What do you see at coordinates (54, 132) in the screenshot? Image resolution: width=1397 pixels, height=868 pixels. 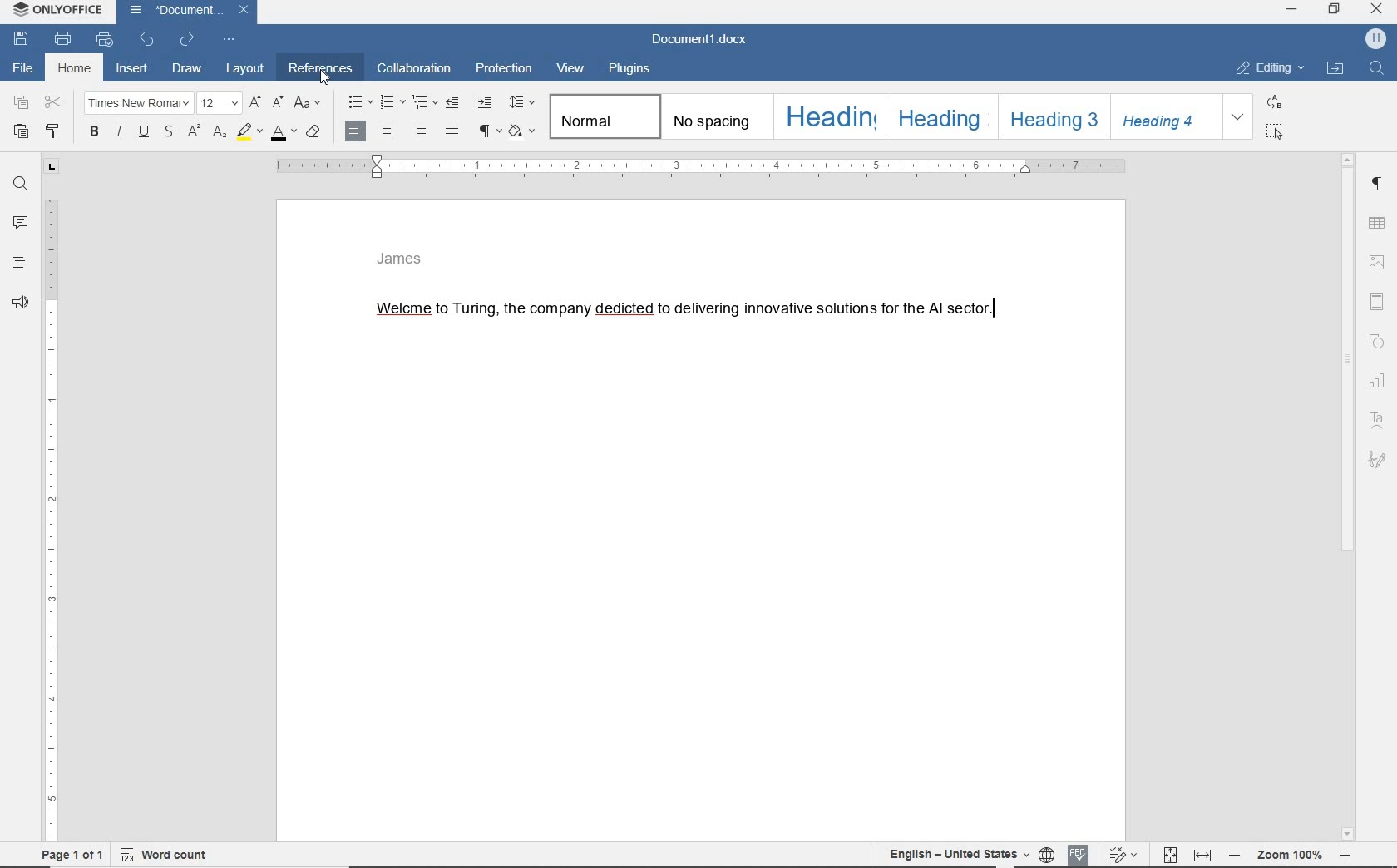 I see `copy style` at bounding box center [54, 132].